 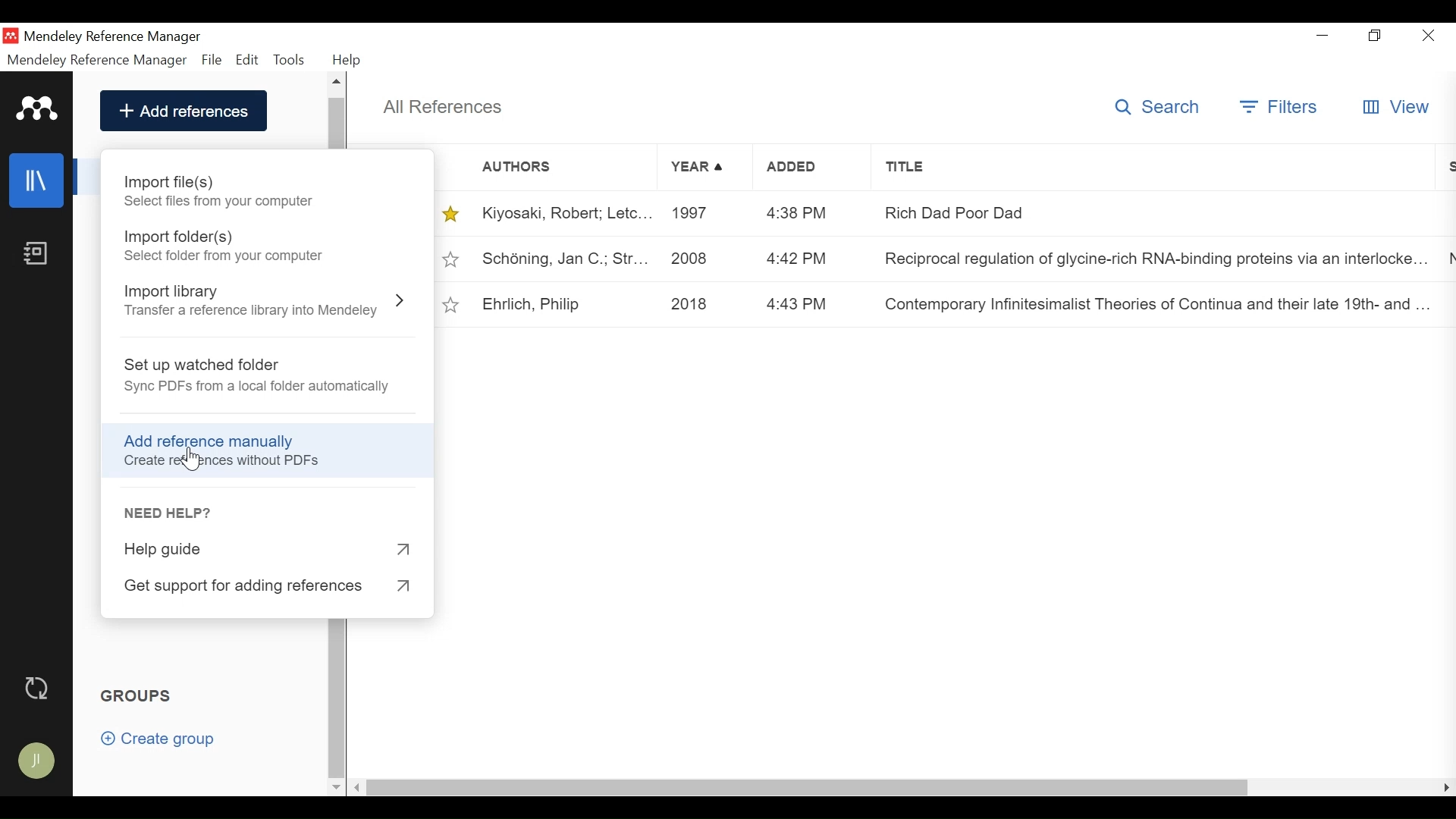 What do you see at coordinates (115, 36) in the screenshot?
I see `Mendeley Reference Manager` at bounding box center [115, 36].